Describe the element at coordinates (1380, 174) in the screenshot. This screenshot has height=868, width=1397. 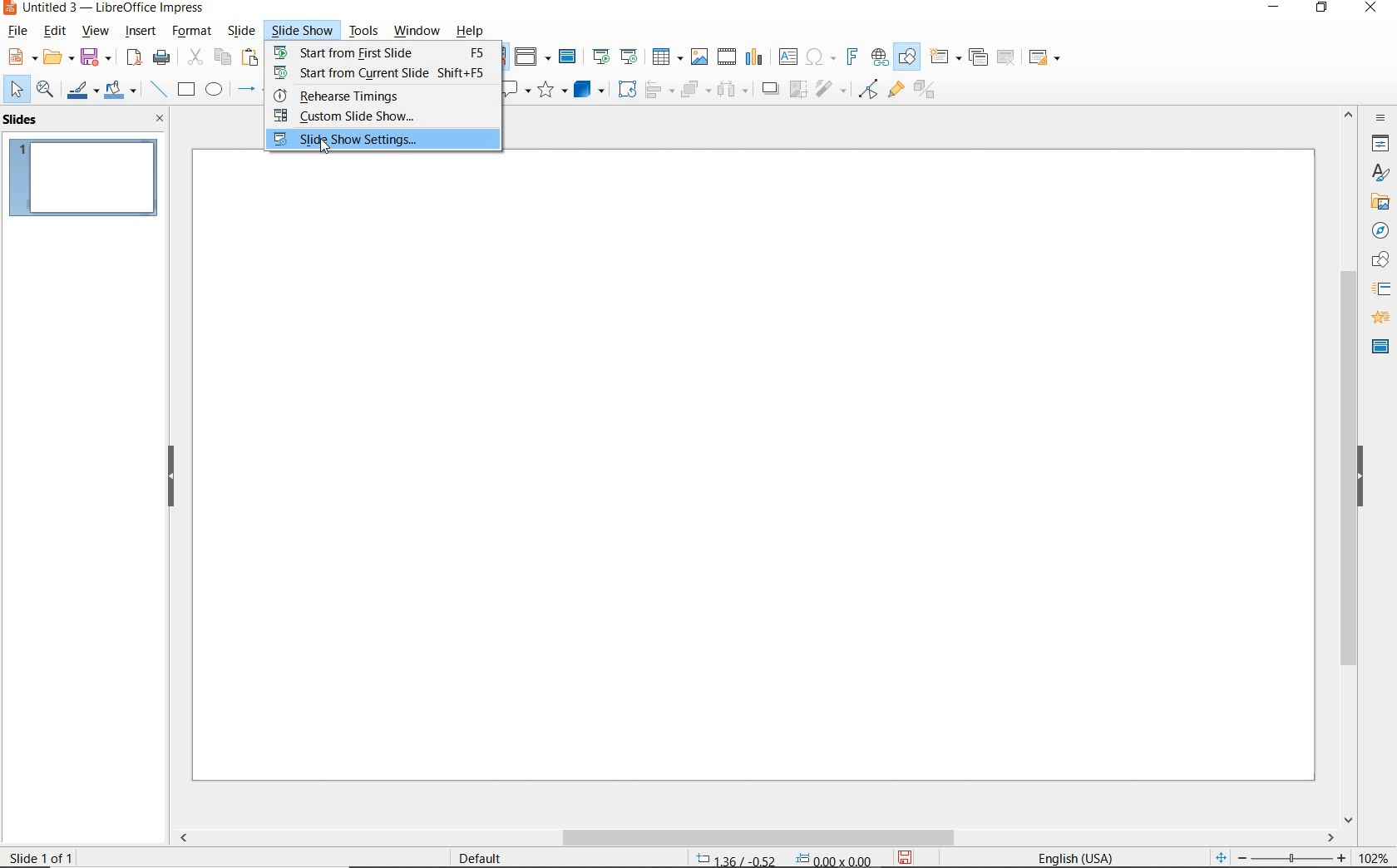
I see `STYLES` at that location.